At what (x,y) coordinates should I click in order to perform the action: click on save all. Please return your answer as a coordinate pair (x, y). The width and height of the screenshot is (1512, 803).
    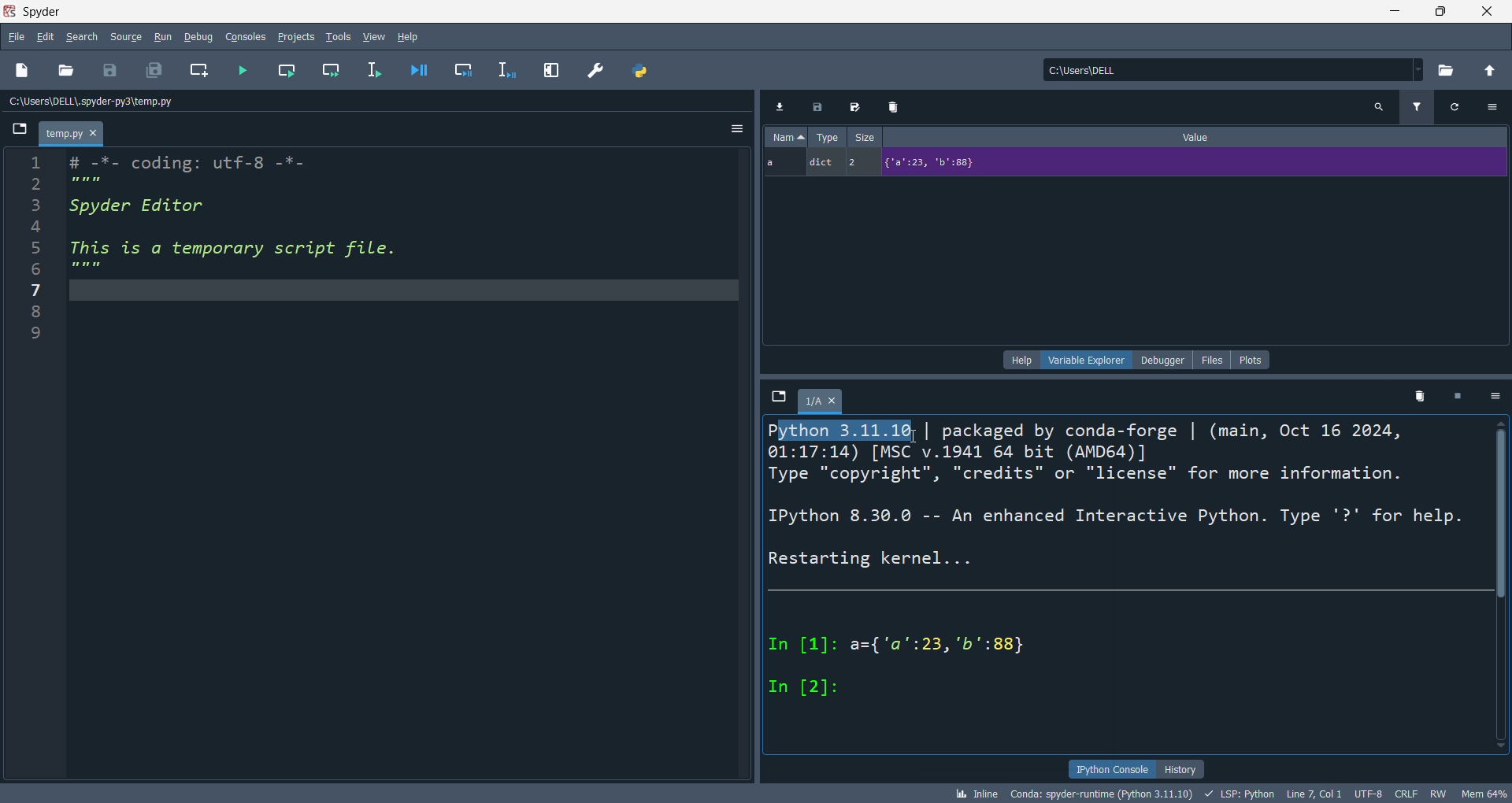
    Looking at the image, I should click on (154, 68).